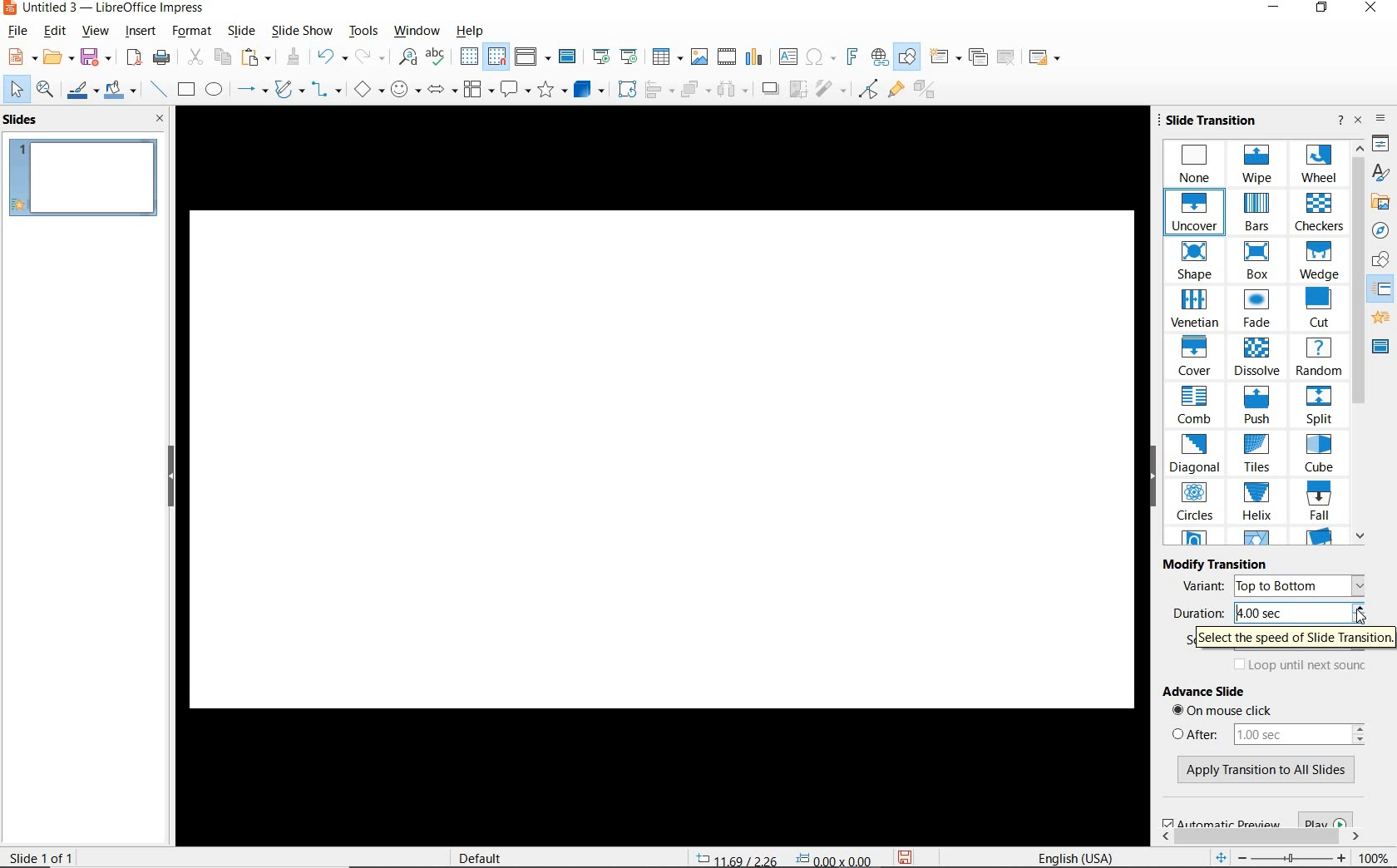 This screenshot has height=868, width=1397. Describe the element at coordinates (1197, 164) in the screenshot. I see `NONE` at that location.